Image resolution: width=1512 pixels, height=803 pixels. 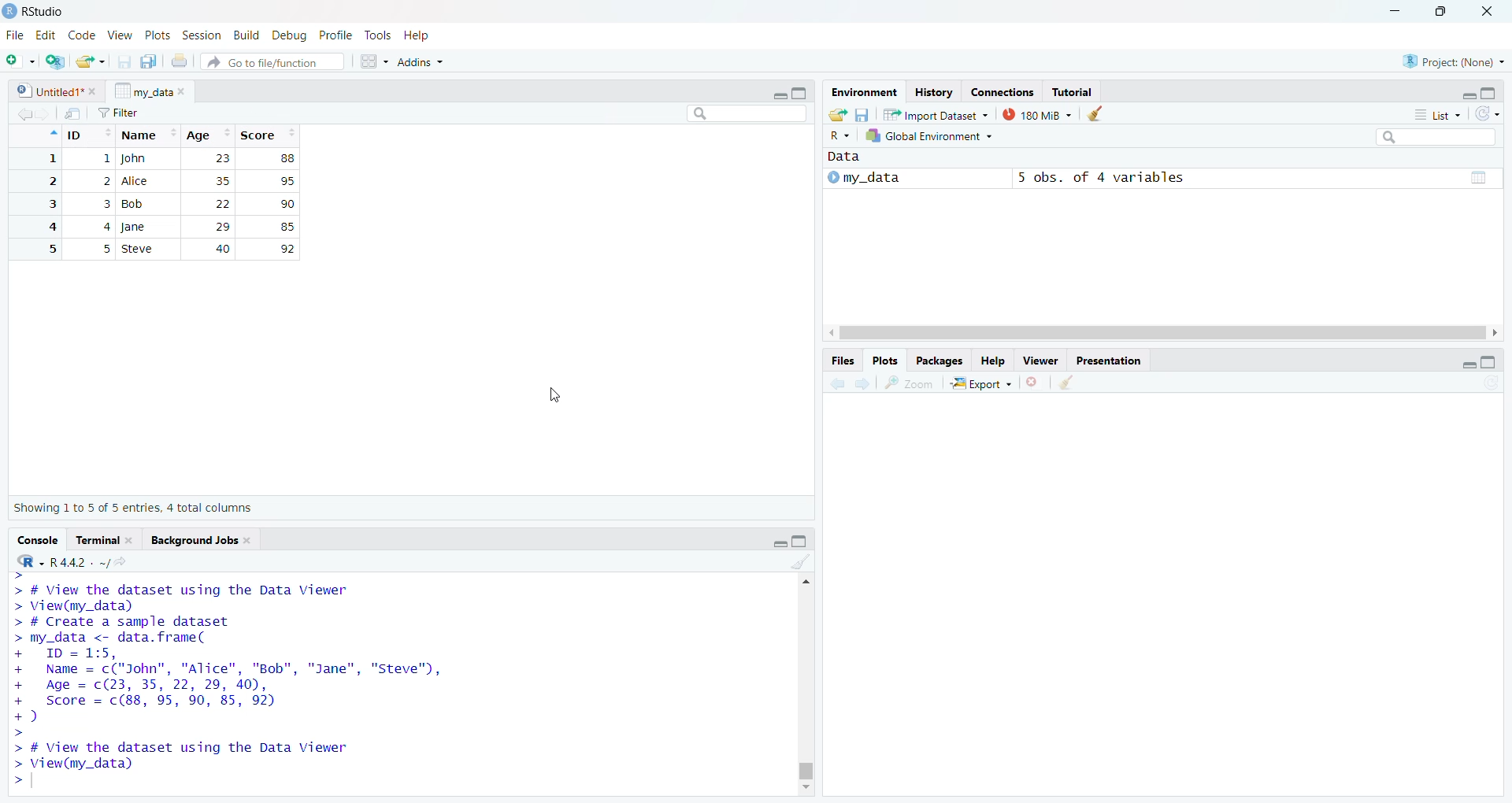 I want to click on Forward, so click(x=48, y=115).